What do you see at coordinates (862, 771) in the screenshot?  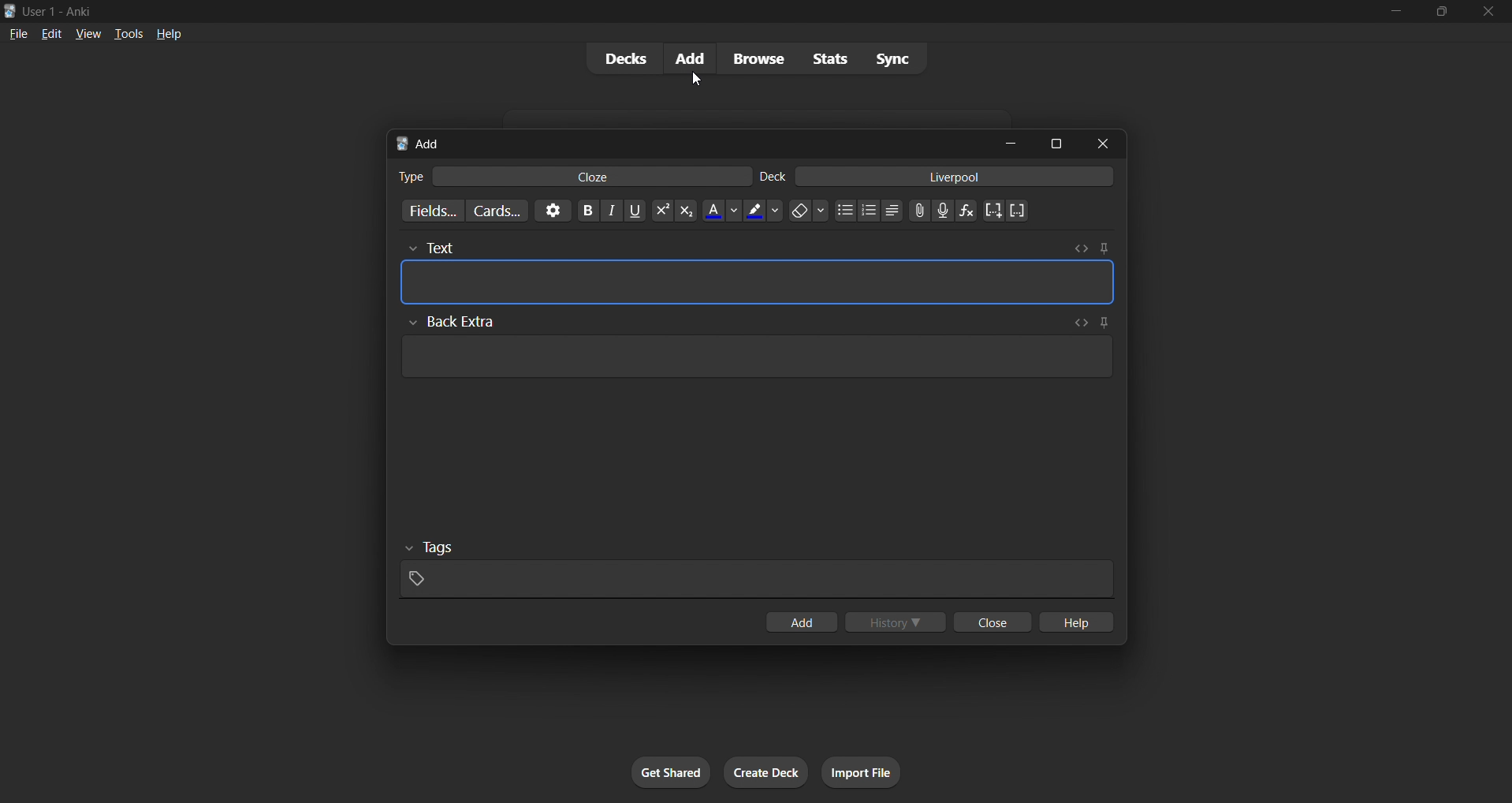 I see `import file` at bounding box center [862, 771].